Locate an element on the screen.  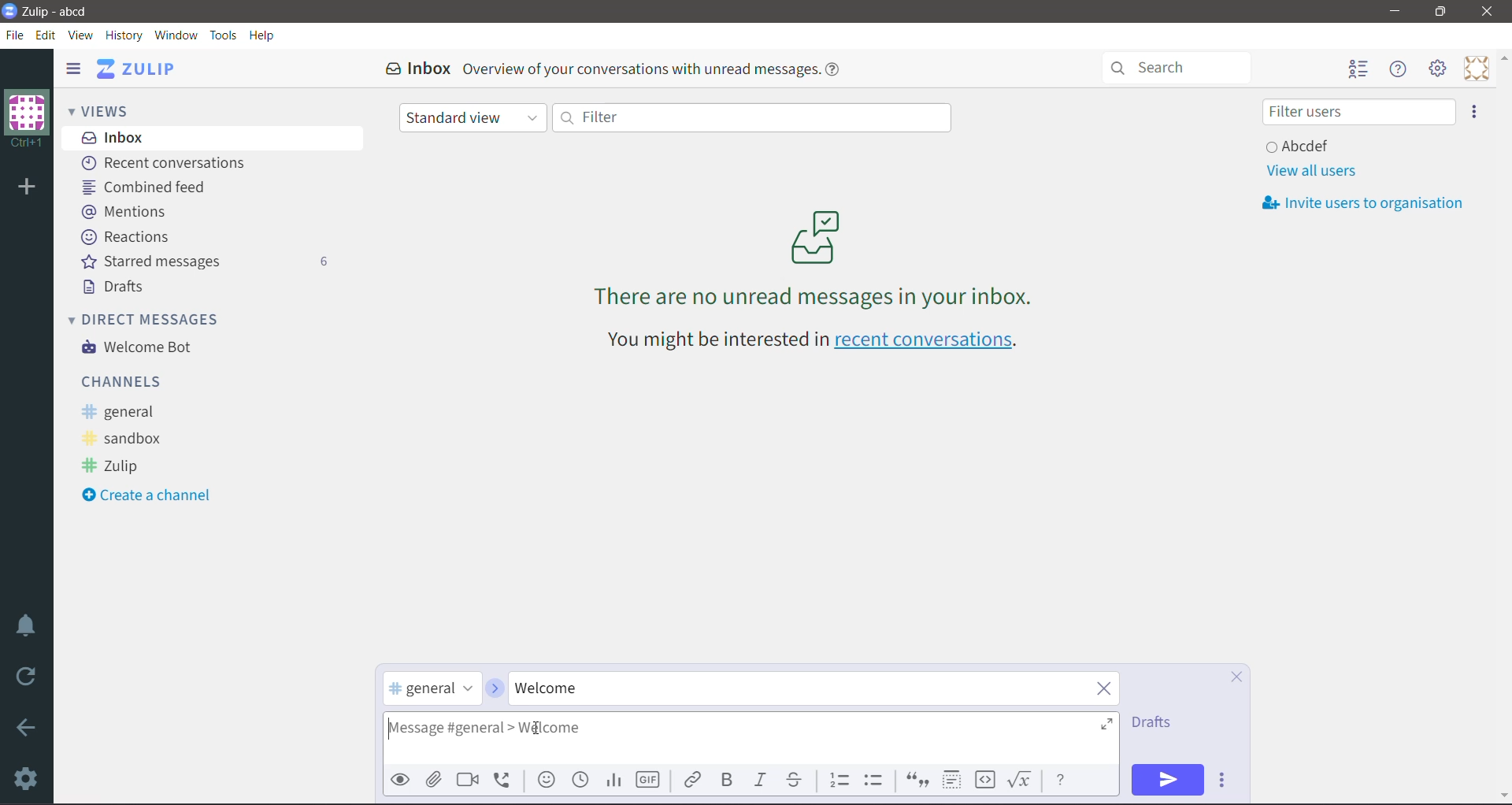
Add voice call is located at coordinates (507, 779).